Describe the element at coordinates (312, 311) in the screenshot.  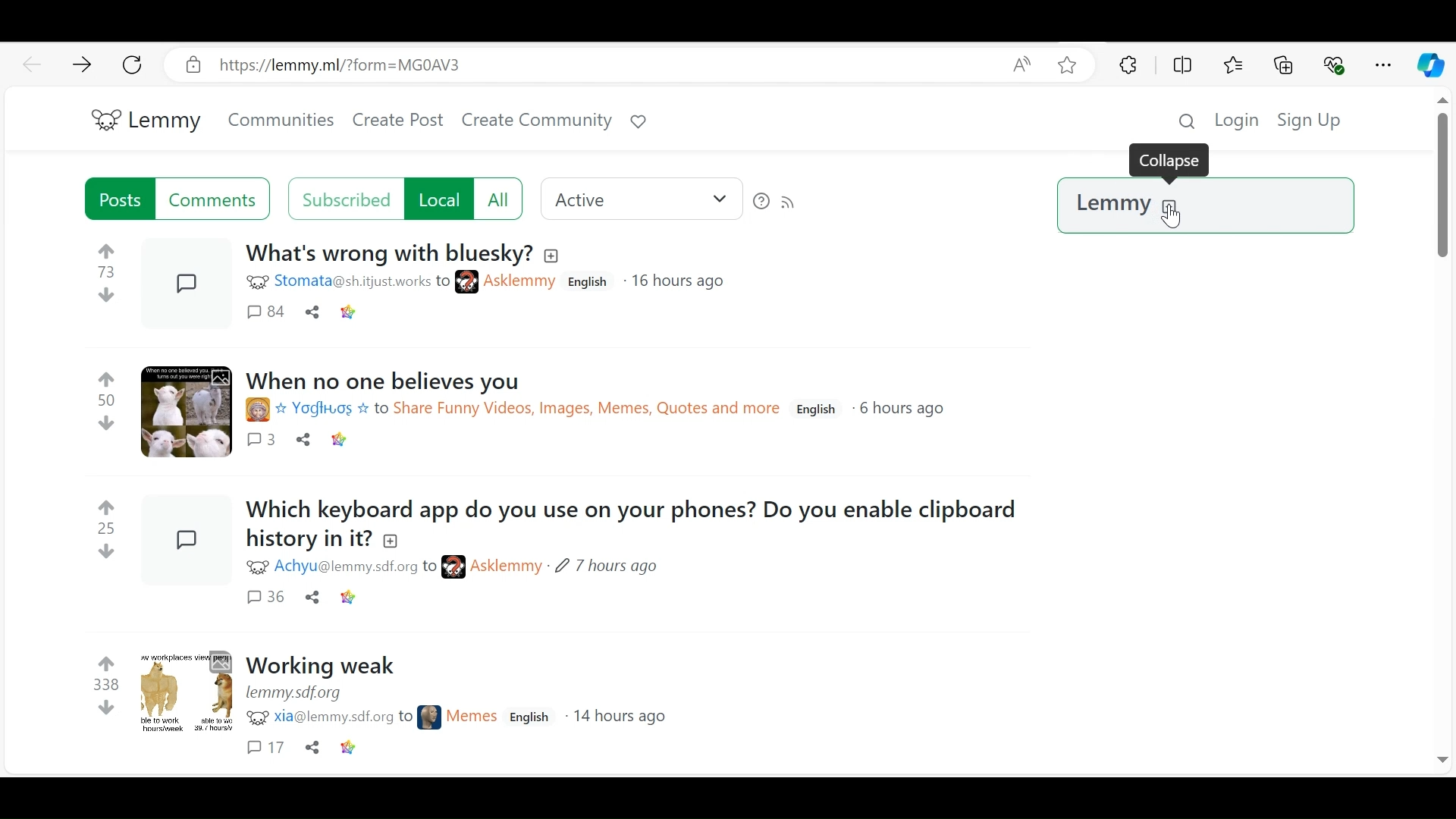
I see `Share` at that location.